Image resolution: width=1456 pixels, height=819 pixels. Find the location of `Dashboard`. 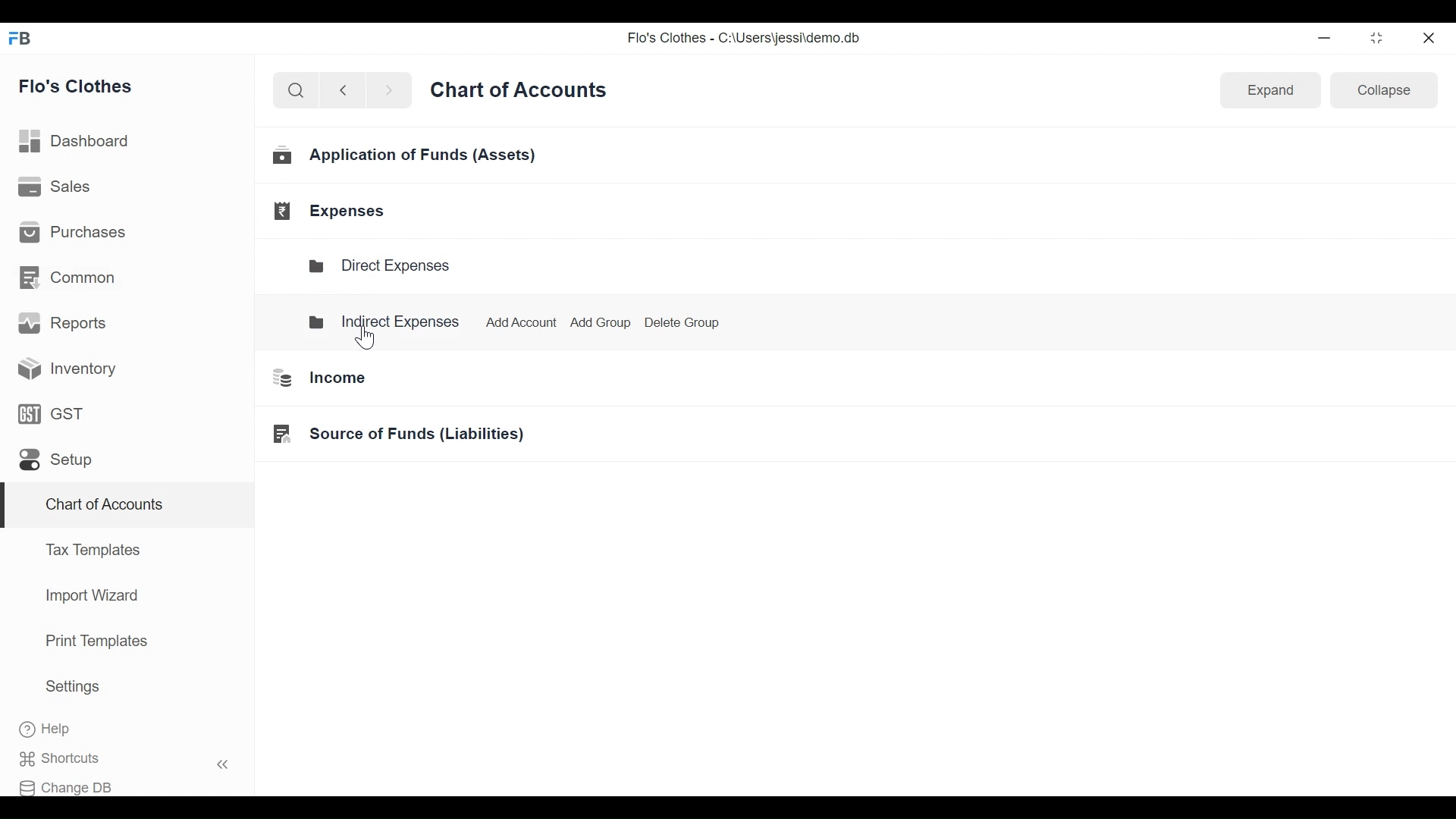

Dashboard is located at coordinates (81, 141).